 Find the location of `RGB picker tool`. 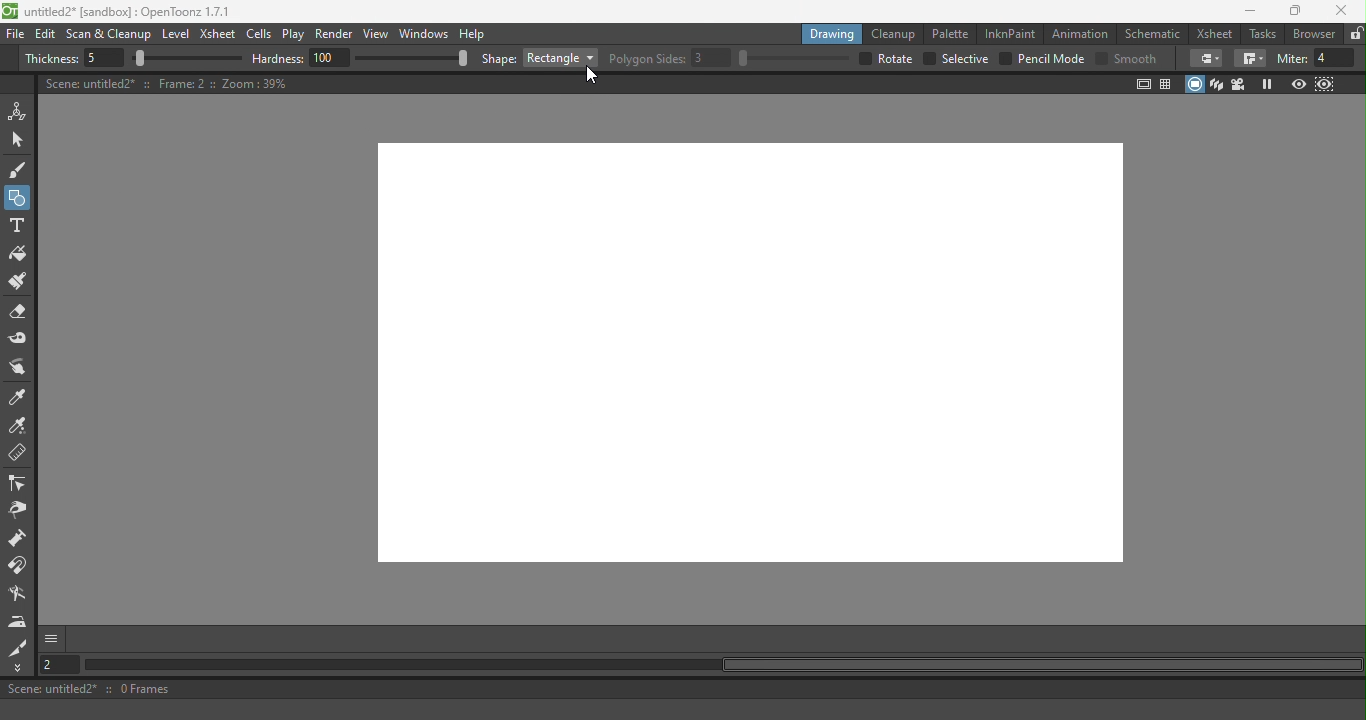

RGB picker tool is located at coordinates (21, 428).